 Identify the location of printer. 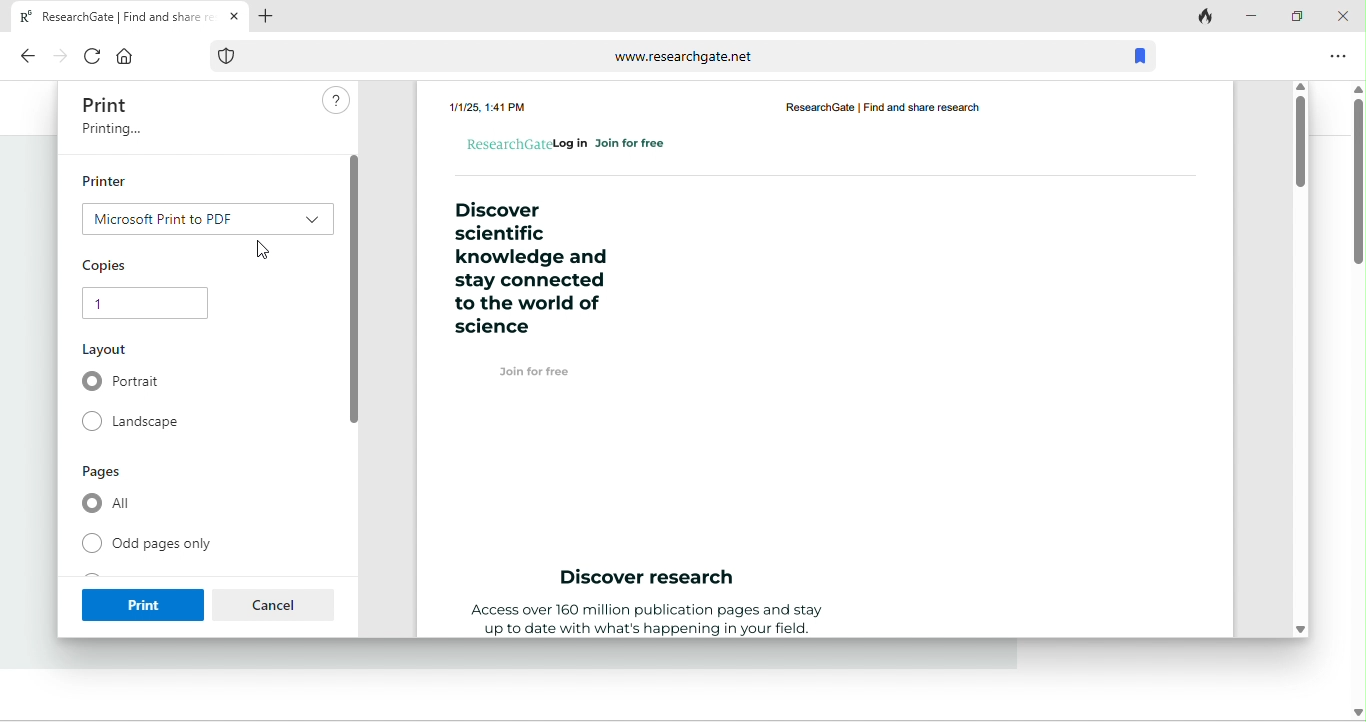
(108, 180).